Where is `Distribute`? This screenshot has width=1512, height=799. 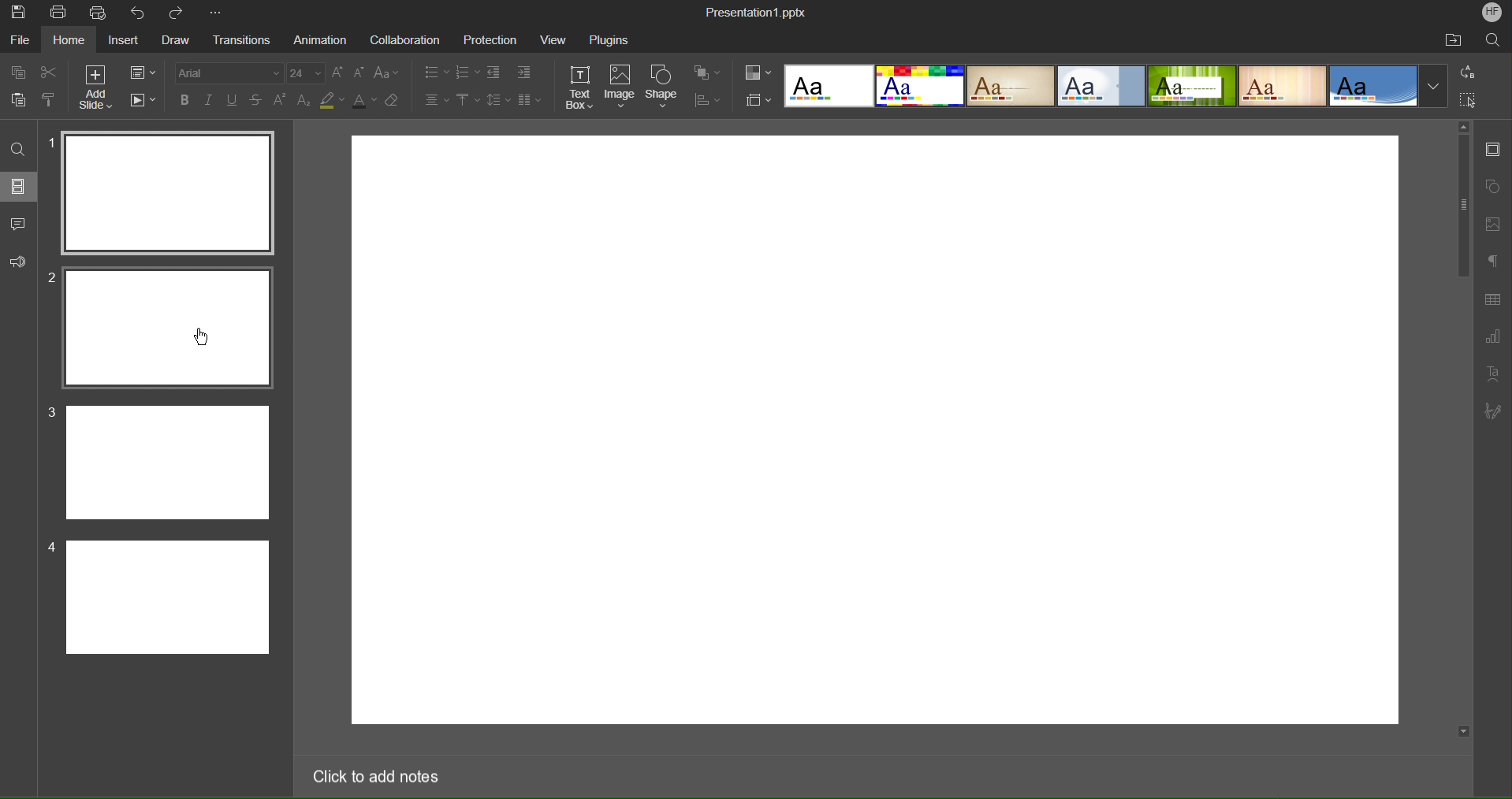 Distribute is located at coordinates (706, 98).